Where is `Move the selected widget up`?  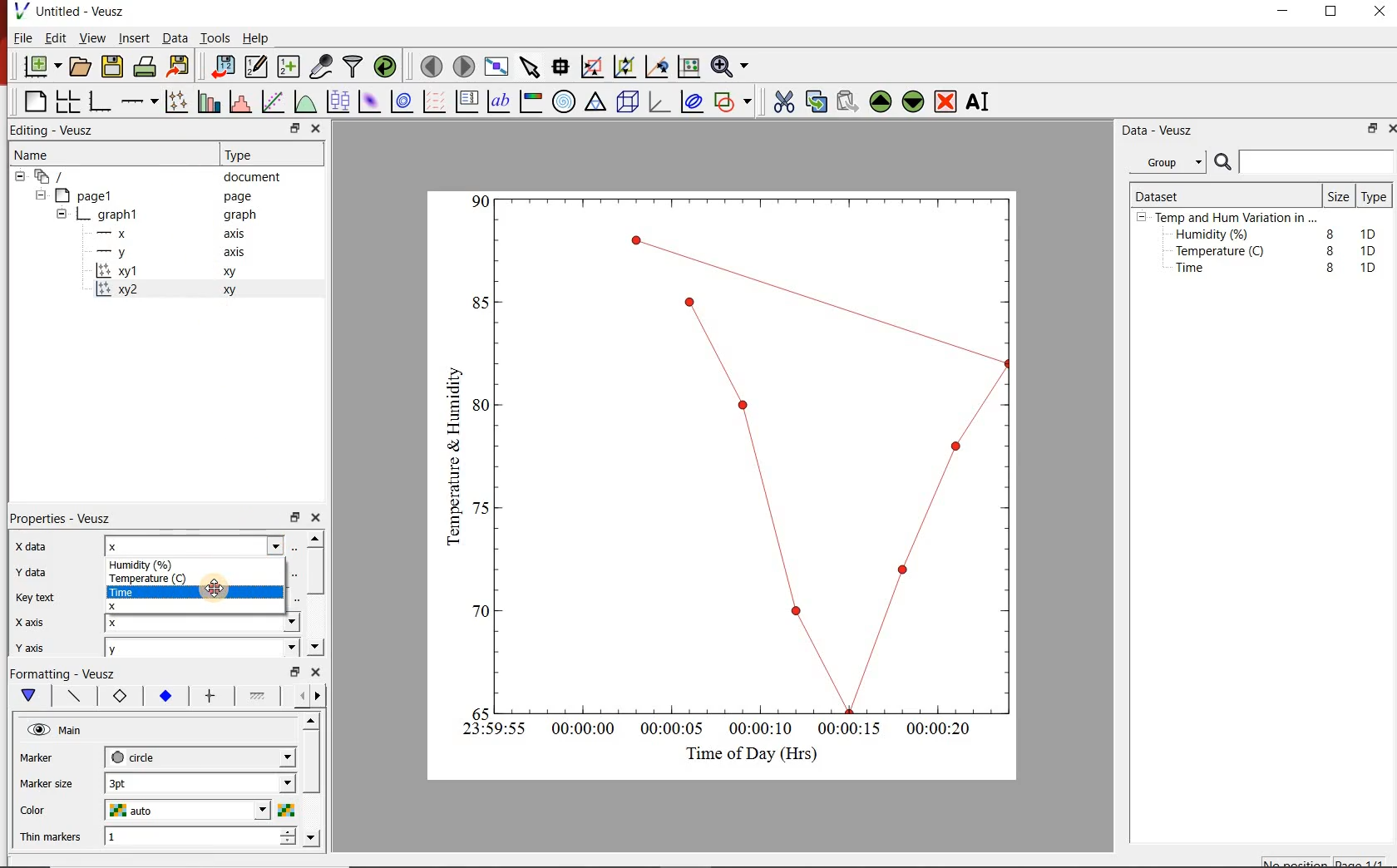
Move the selected widget up is located at coordinates (881, 100).